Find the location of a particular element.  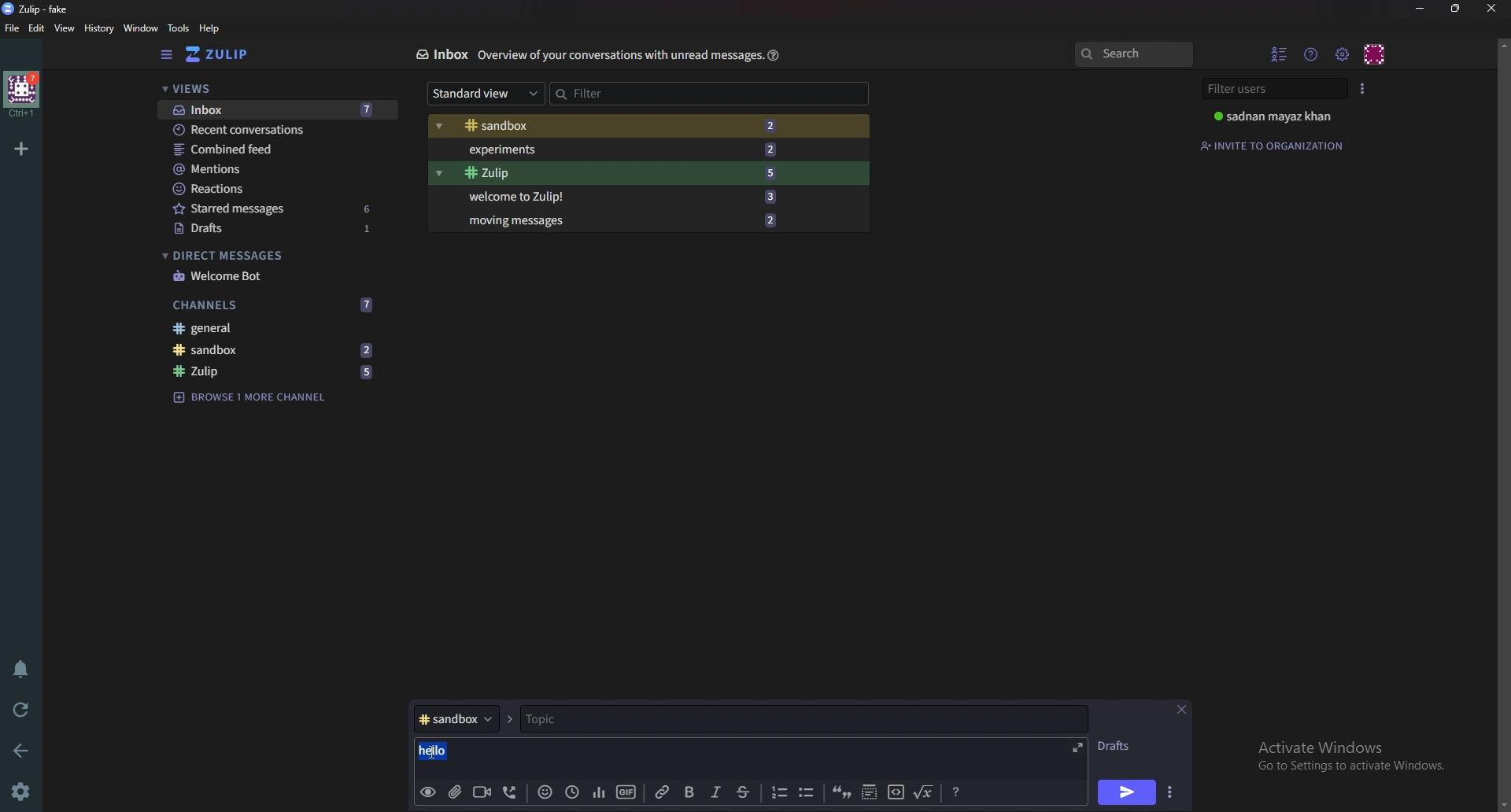

sadnan mayaz khan is located at coordinates (1274, 116).